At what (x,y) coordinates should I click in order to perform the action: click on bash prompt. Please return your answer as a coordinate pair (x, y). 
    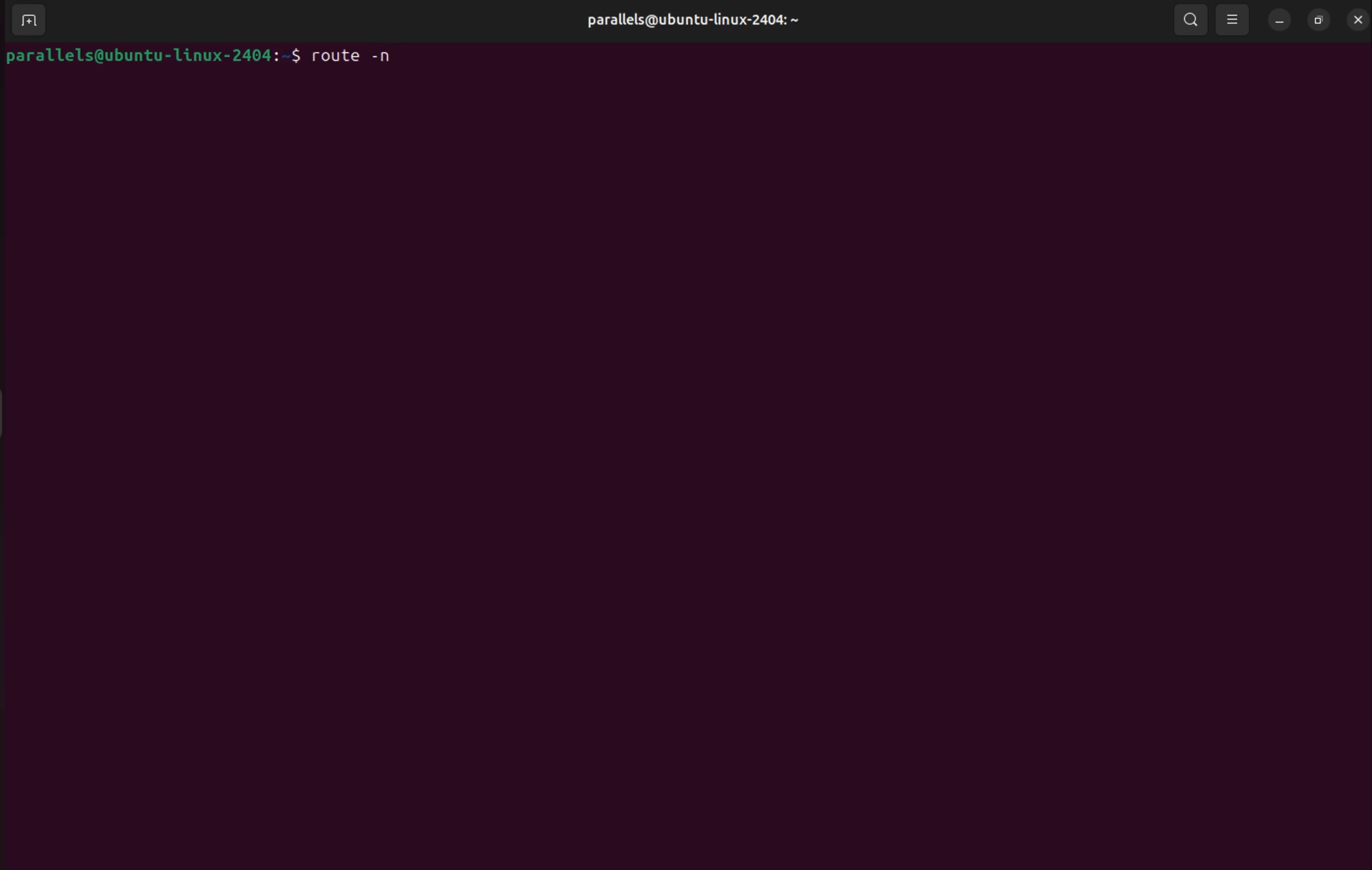
    Looking at the image, I should click on (153, 55).